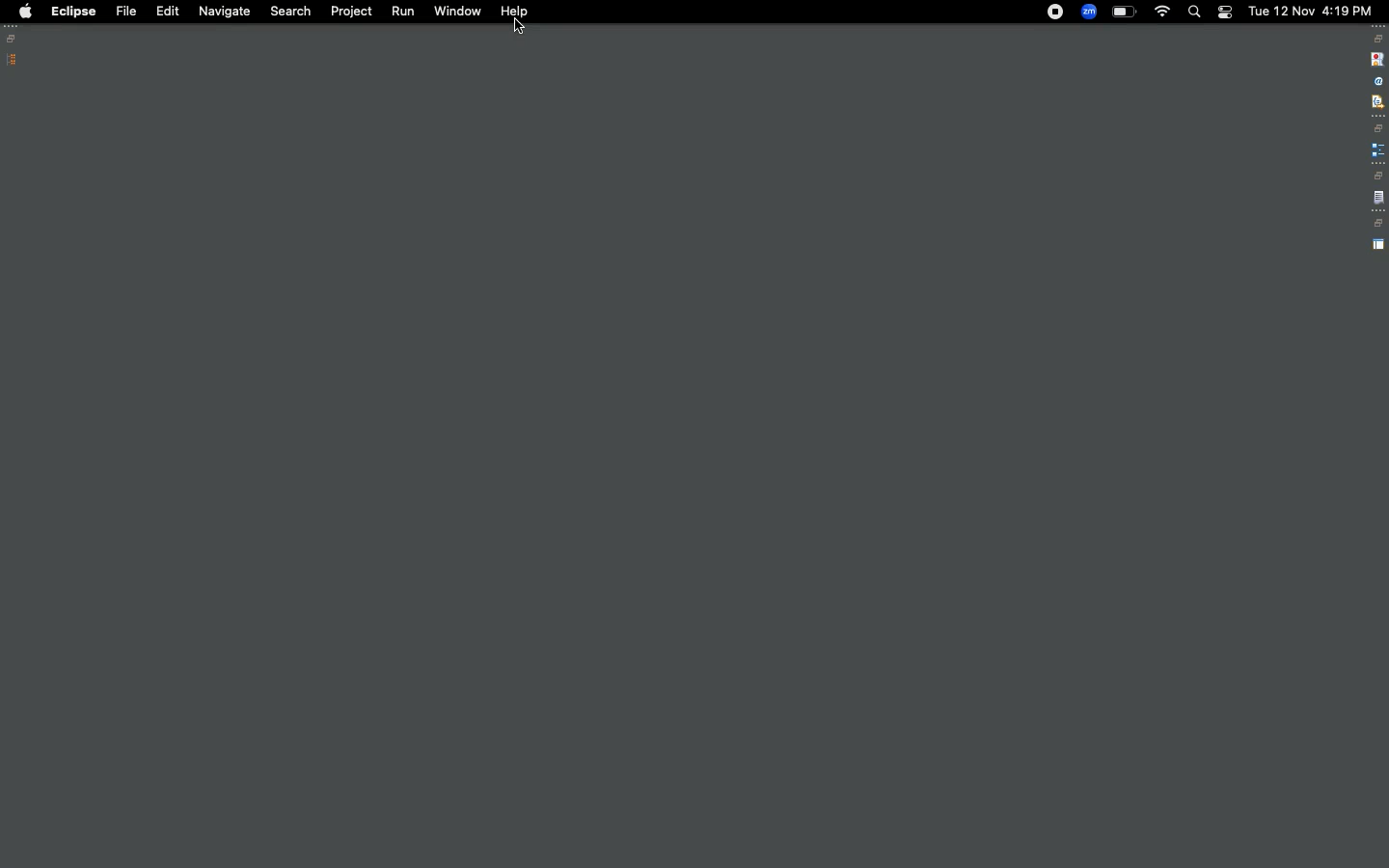 This screenshot has height=868, width=1389. I want to click on Search, so click(289, 12).